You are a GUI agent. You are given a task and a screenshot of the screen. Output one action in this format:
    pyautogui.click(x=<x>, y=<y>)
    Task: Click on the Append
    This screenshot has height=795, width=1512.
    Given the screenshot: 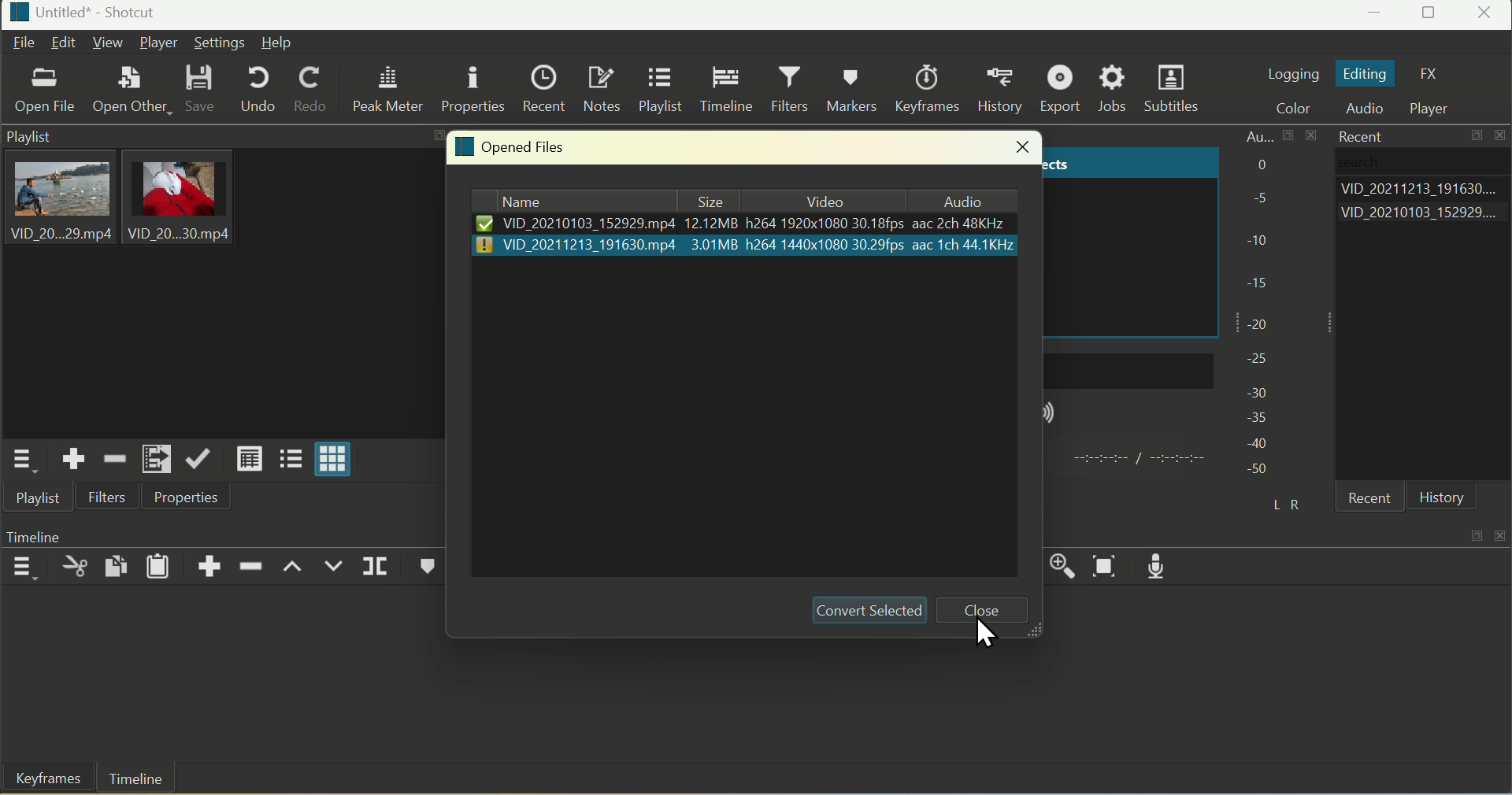 What is the action you would take?
    pyautogui.click(x=212, y=563)
    